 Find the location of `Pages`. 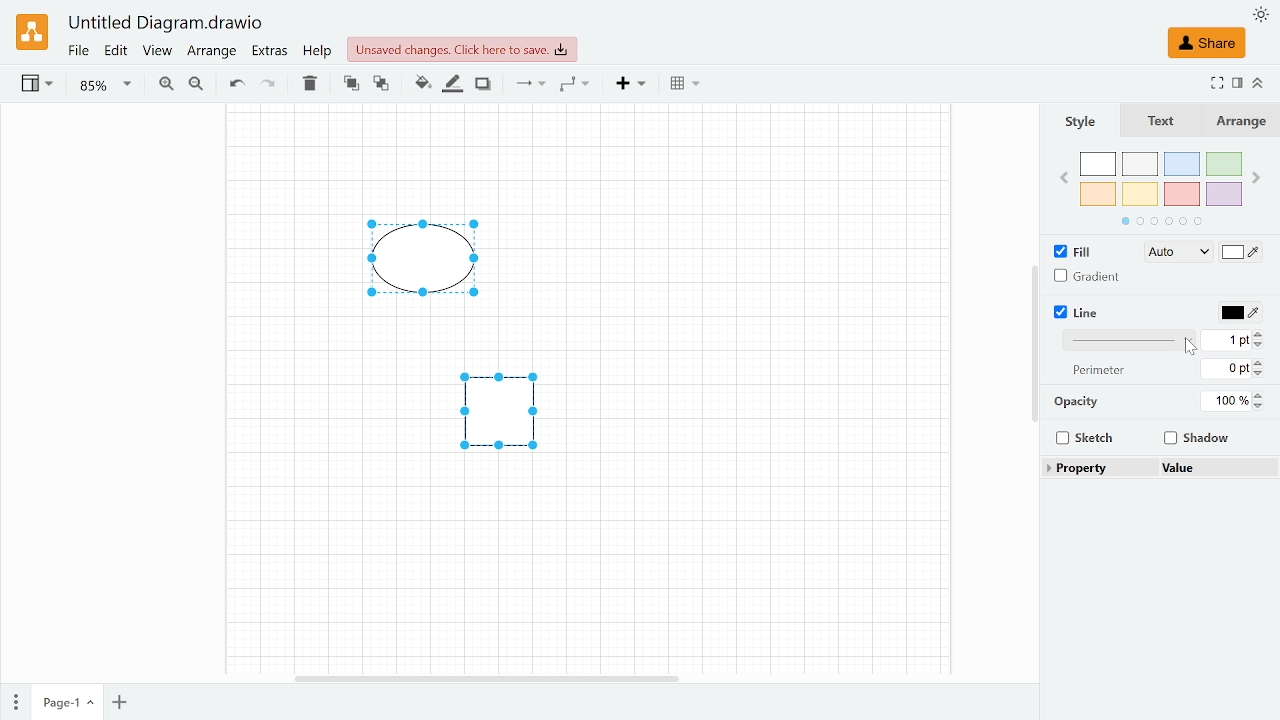

Pages is located at coordinates (14, 700).